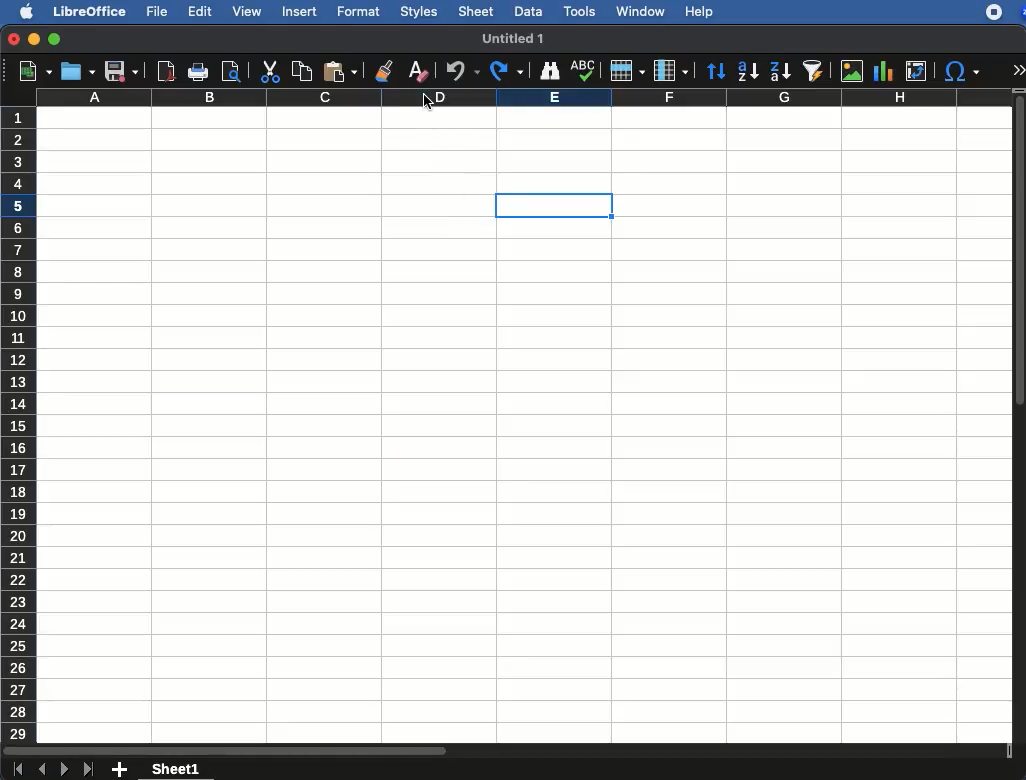 This screenshot has width=1026, height=780. I want to click on previous sheet, so click(43, 770).